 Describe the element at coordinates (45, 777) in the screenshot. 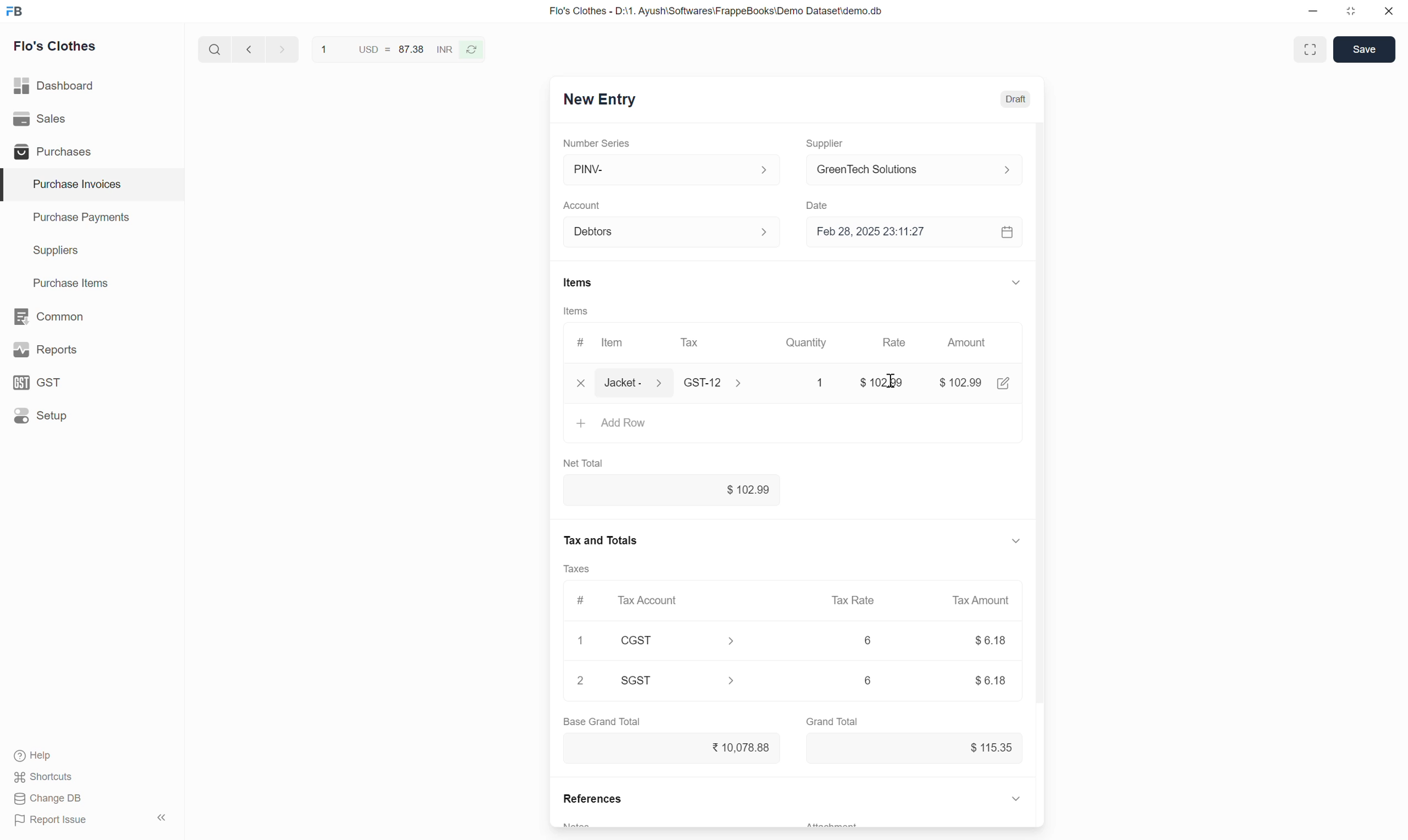

I see `Shortcuts` at that location.